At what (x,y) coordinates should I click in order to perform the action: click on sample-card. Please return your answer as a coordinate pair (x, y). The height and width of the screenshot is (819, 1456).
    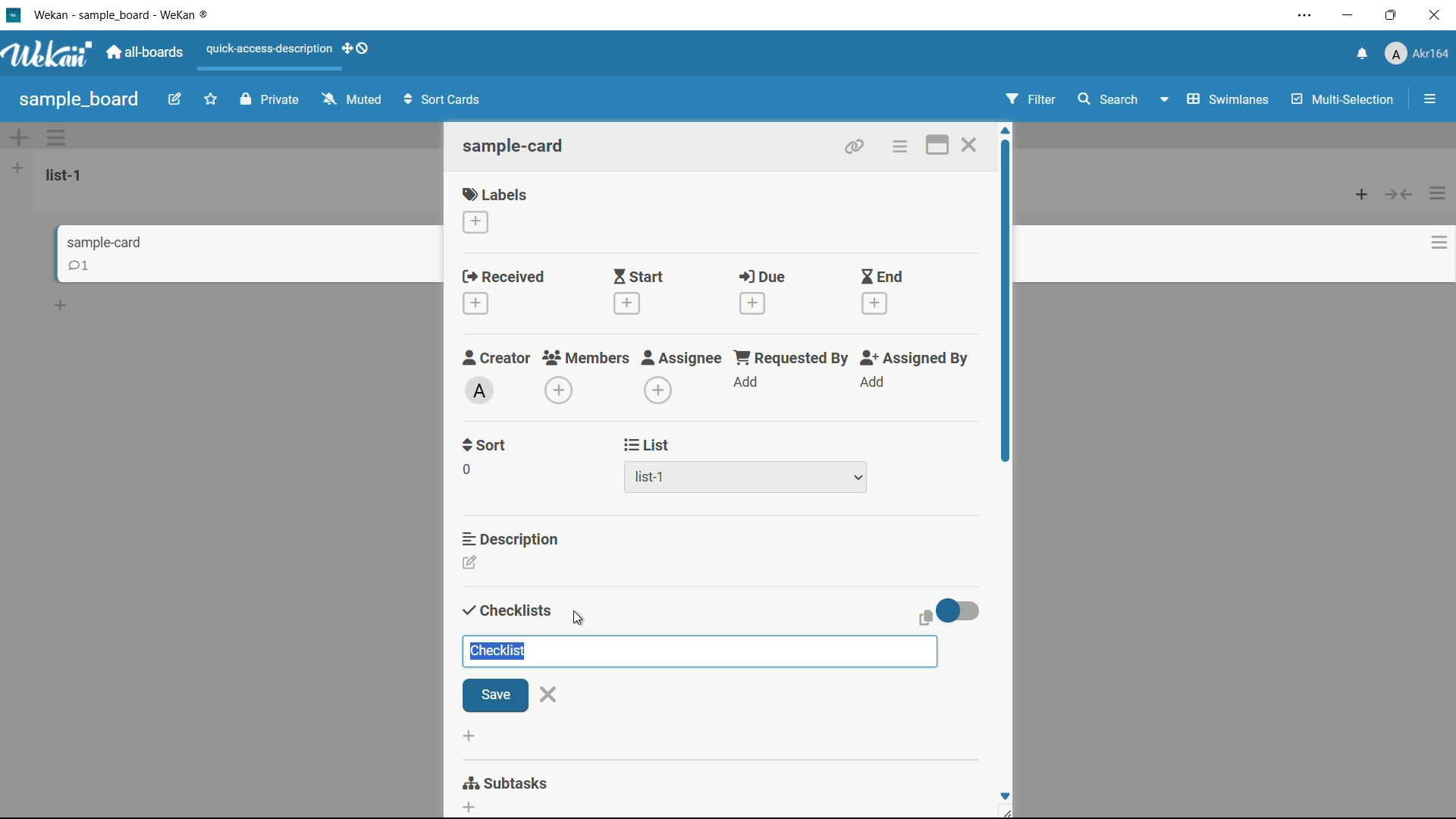
    Looking at the image, I should click on (107, 240).